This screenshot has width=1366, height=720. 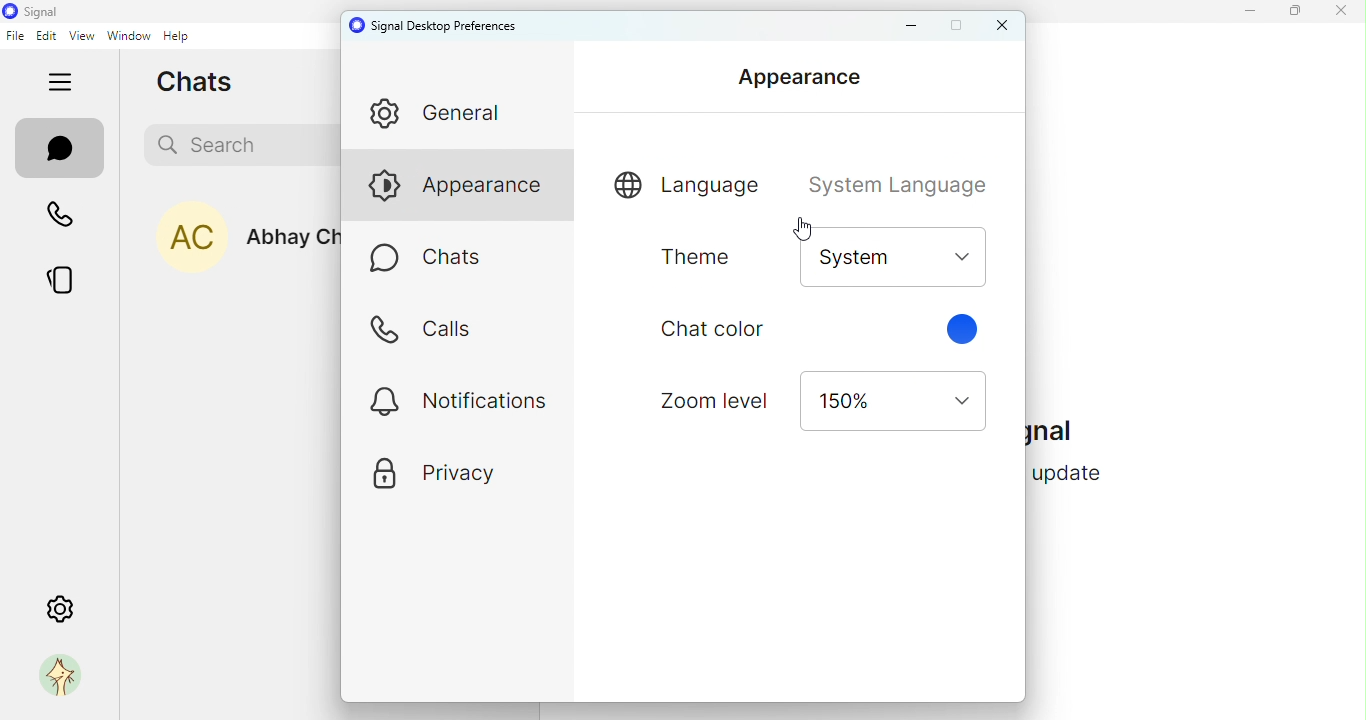 I want to click on settings, so click(x=50, y=609).